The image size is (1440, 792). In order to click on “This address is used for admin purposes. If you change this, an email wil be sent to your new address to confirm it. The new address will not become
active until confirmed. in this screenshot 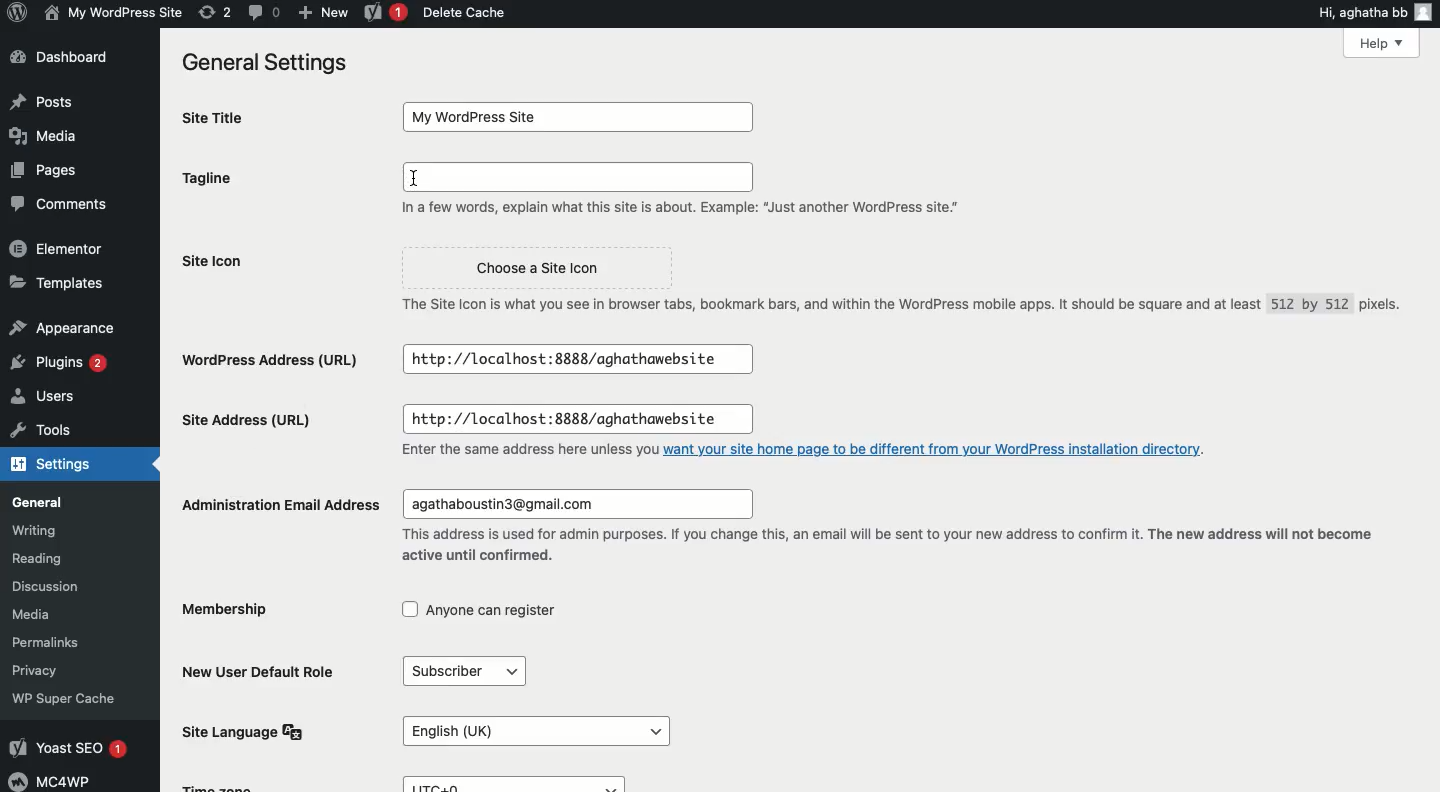, I will do `click(898, 545)`.